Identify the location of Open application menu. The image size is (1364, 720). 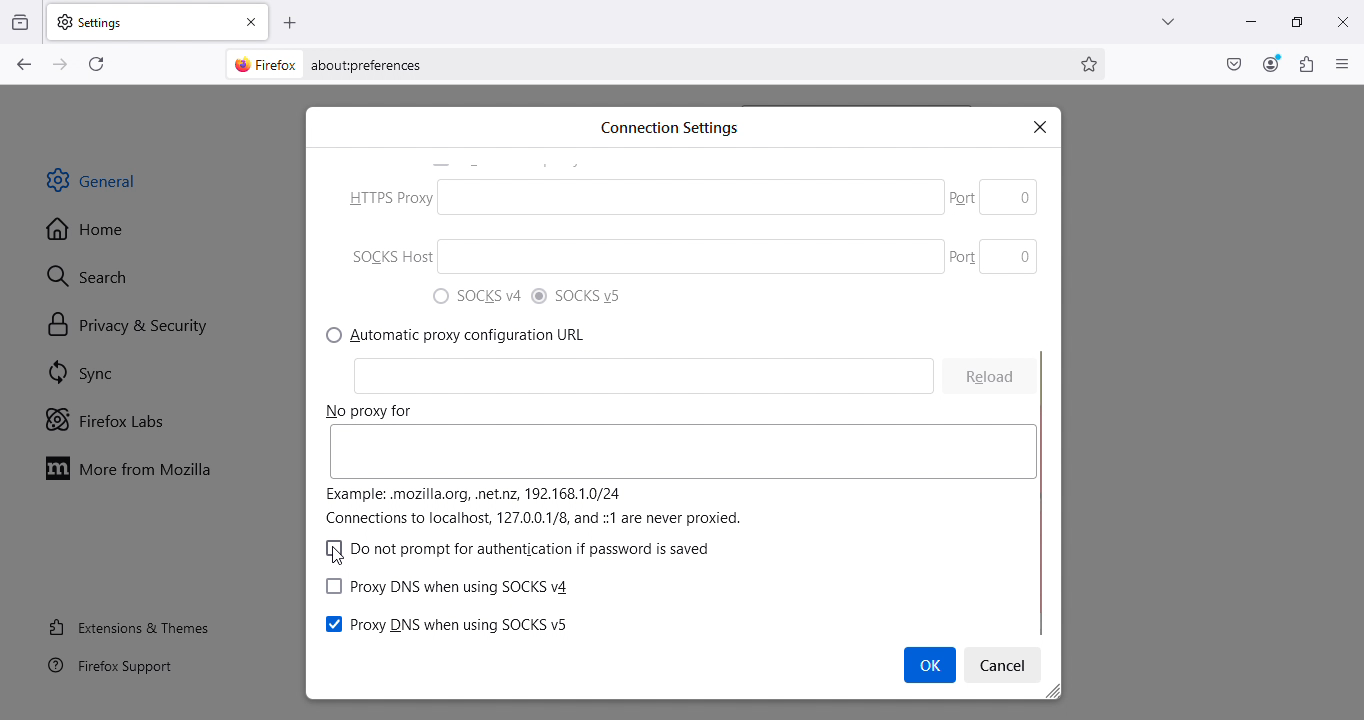
(1343, 63).